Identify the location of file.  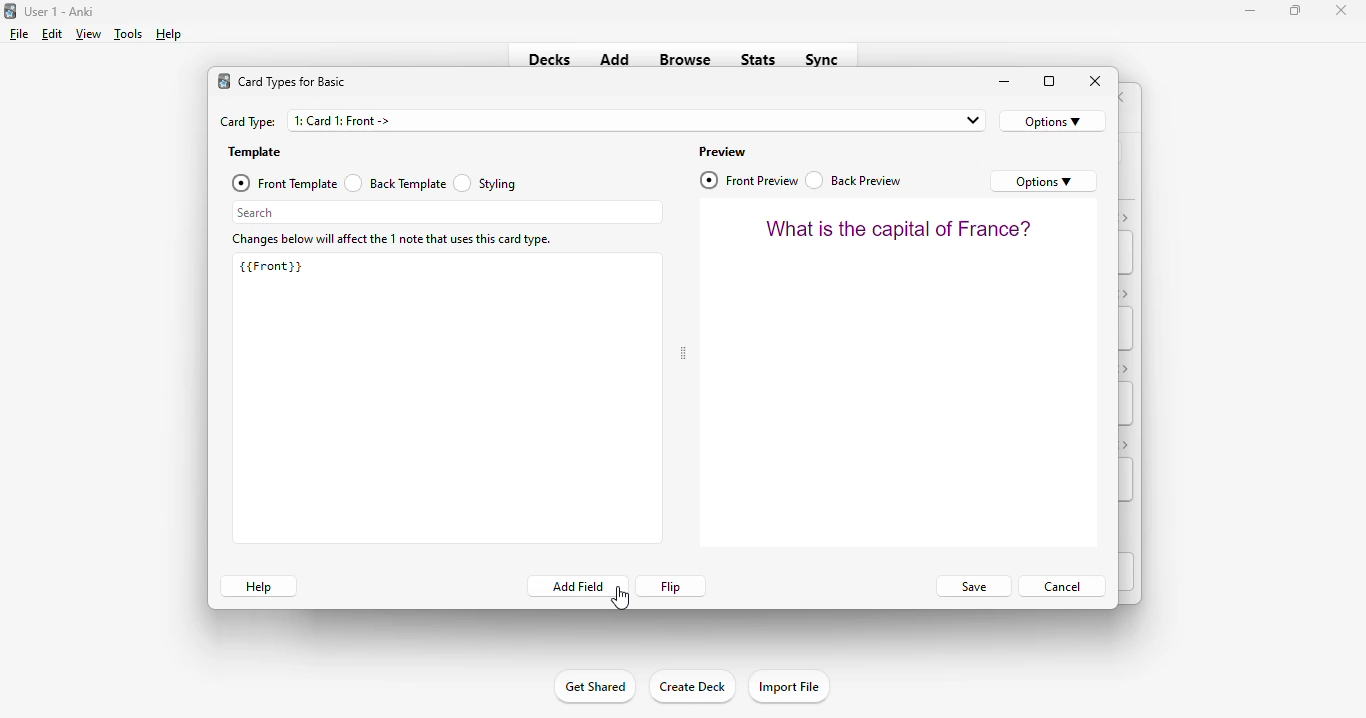
(19, 34).